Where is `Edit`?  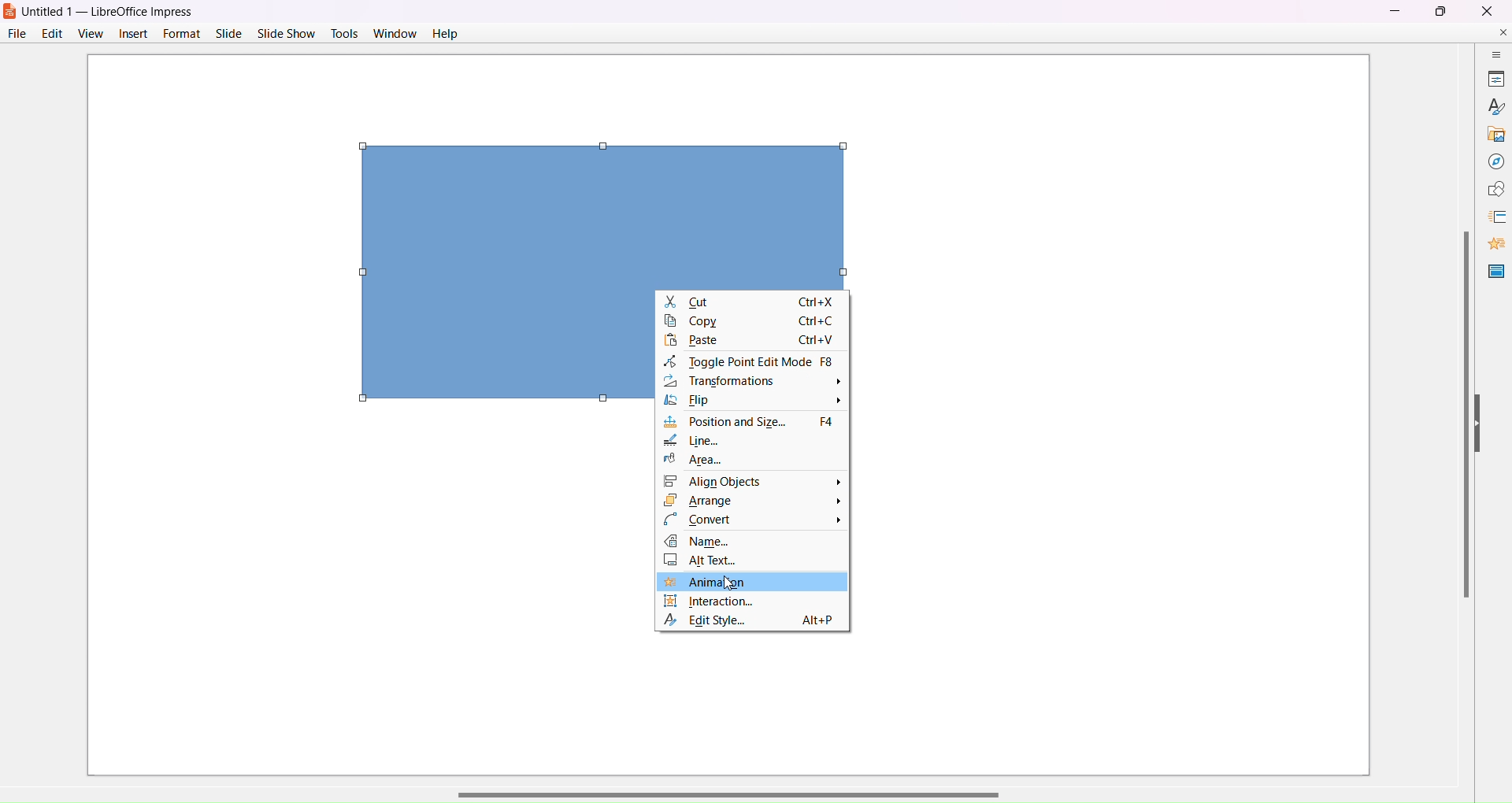
Edit is located at coordinates (54, 33).